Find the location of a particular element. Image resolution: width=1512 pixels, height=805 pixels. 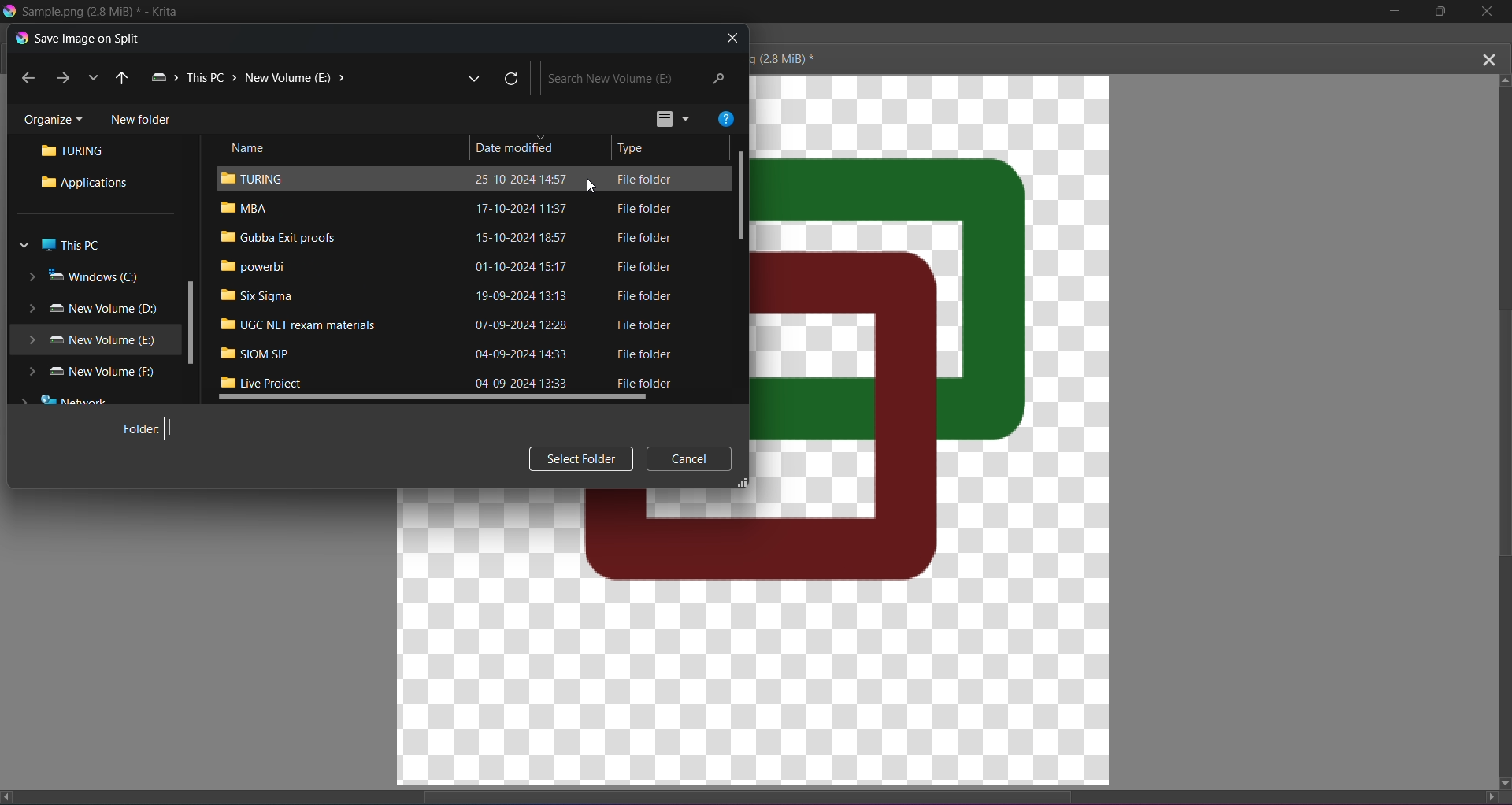

Select folder is located at coordinates (577, 460).